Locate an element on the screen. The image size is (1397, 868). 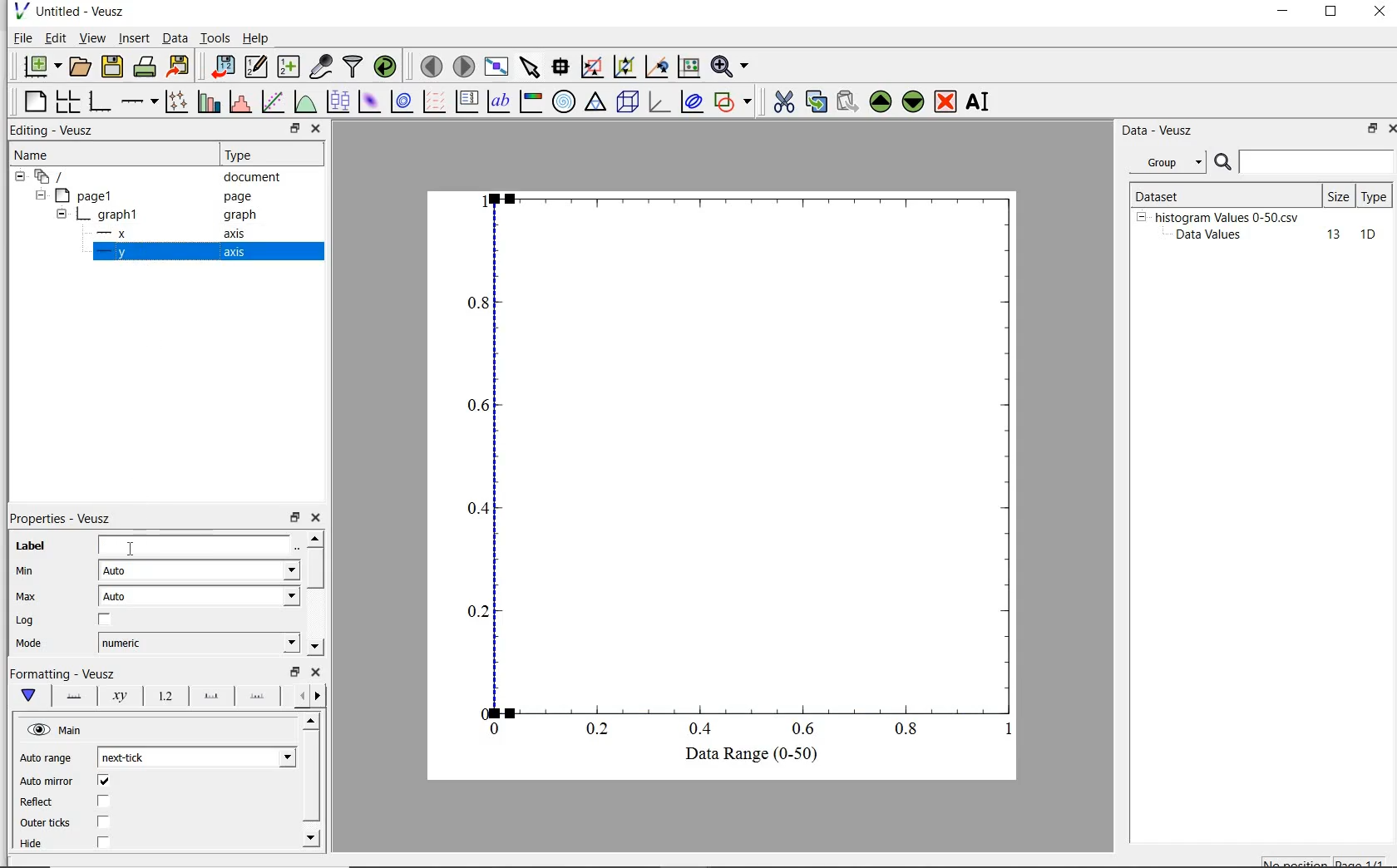
close is located at coordinates (316, 672).